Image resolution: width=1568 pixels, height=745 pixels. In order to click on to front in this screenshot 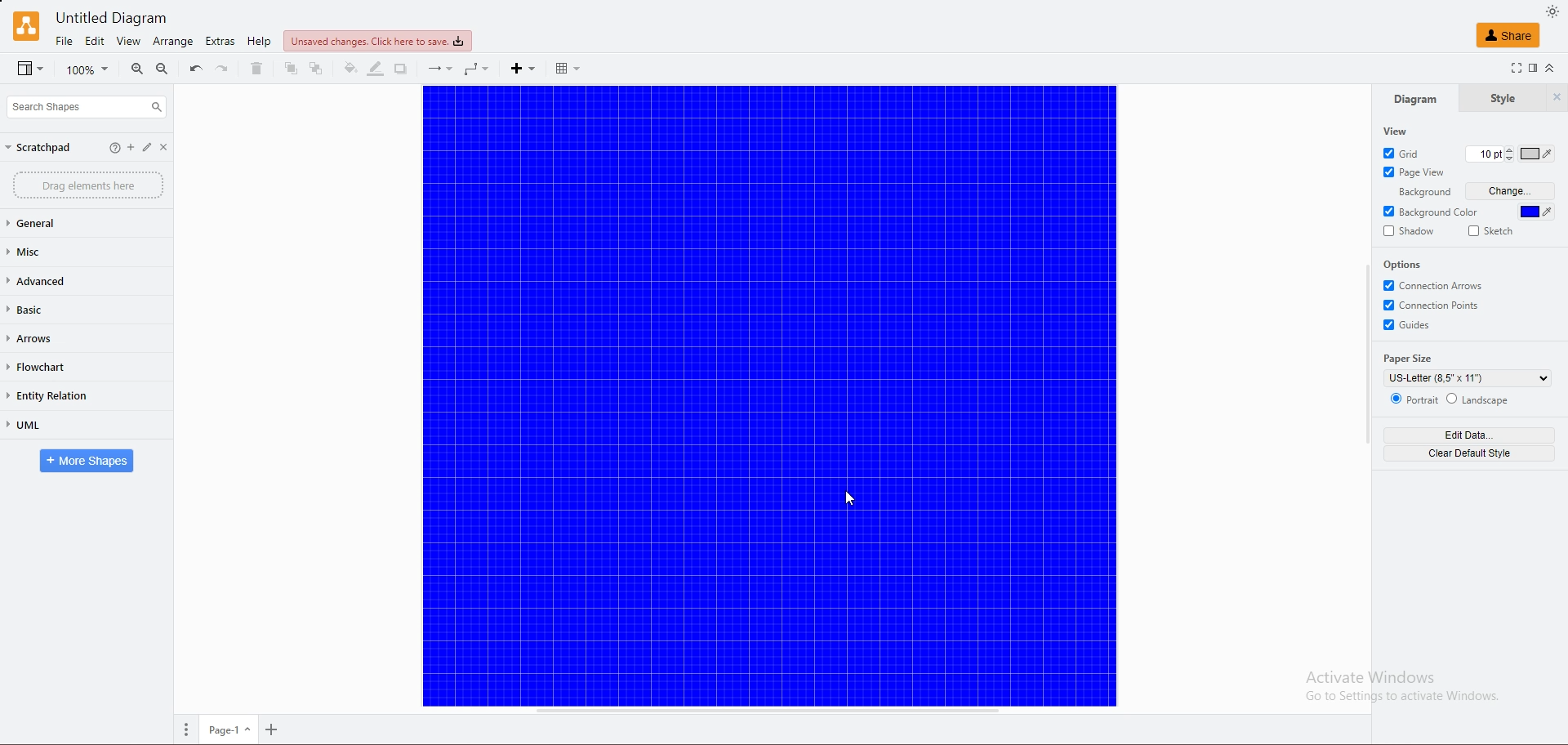, I will do `click(292, 69)`.